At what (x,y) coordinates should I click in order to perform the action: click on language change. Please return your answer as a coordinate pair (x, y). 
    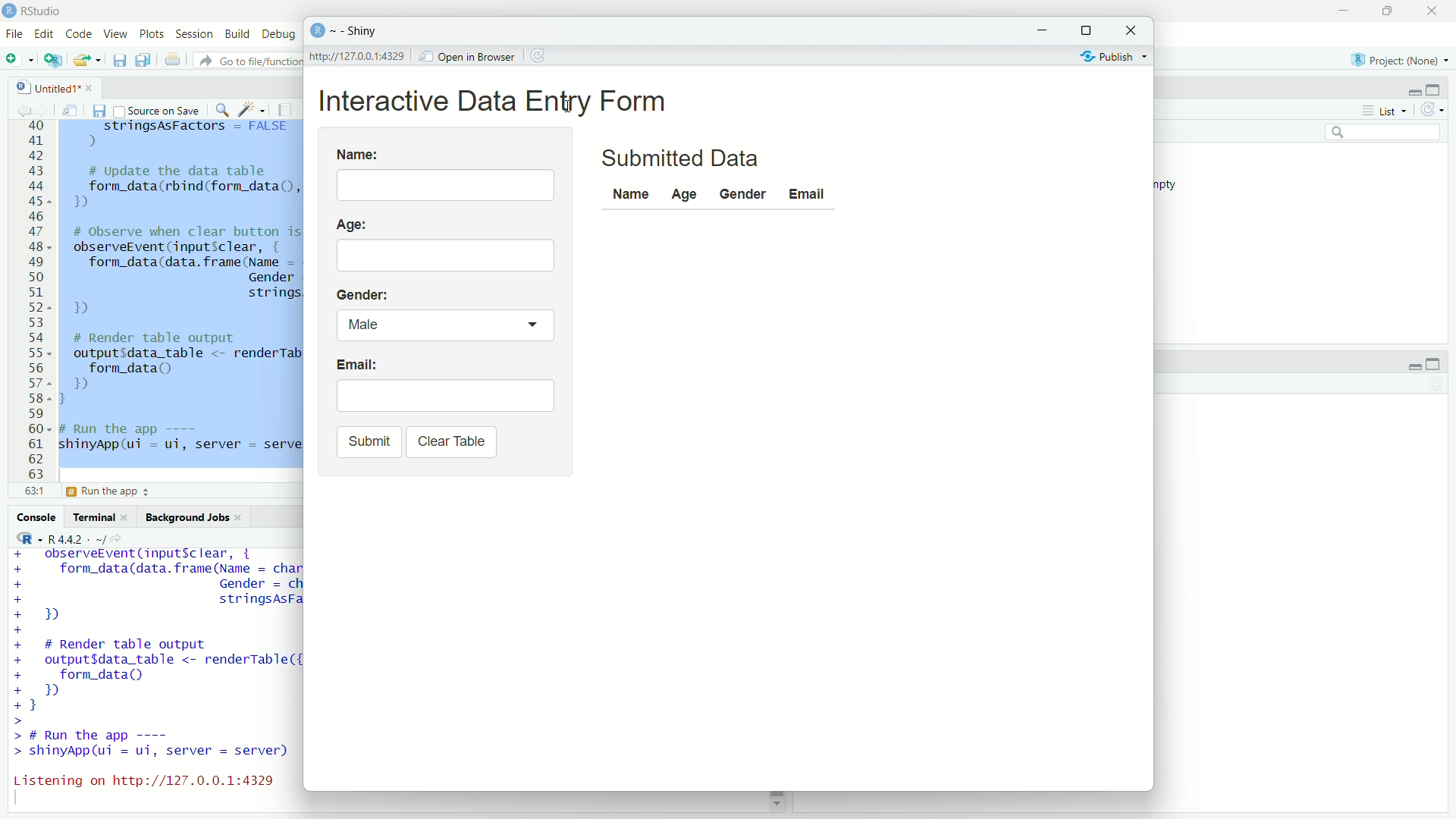
    Looking at the image, I should click on (23, 538).